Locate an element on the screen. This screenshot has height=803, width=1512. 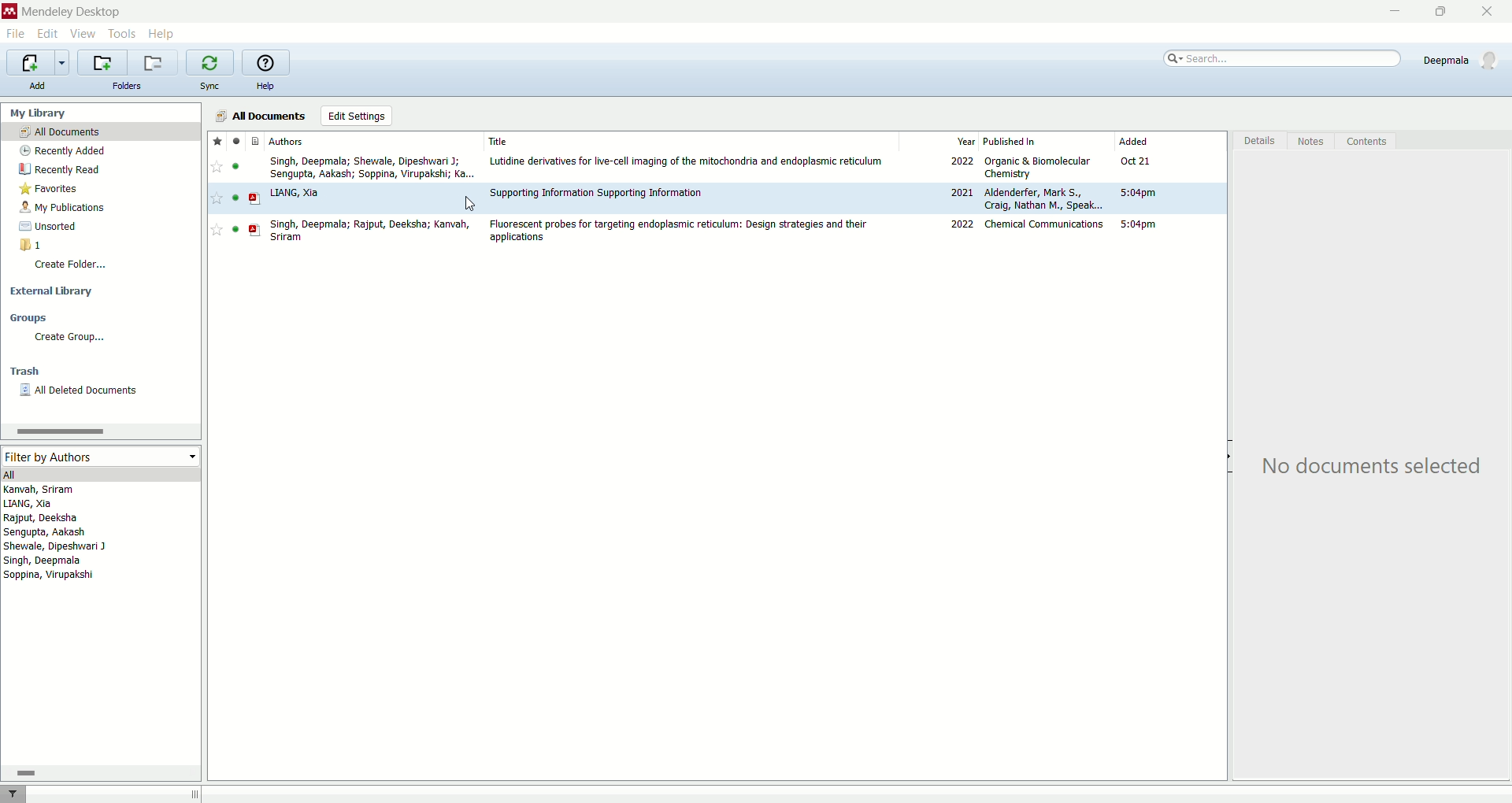
sync is located at coordinates (213, 86).